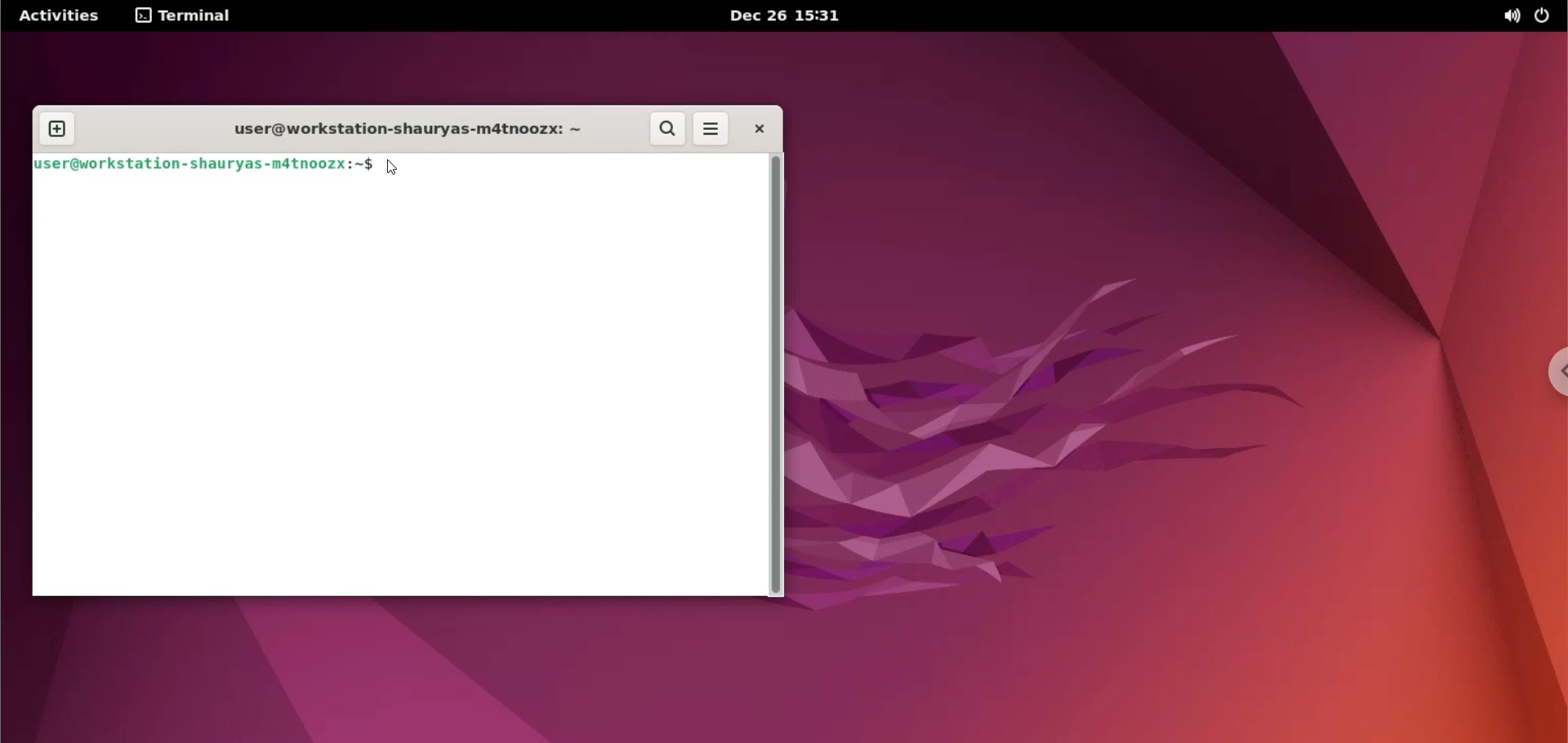  What do you see at coordinates (61, 15) in the screenshot?
I see `Activities` at bounding box center [61, 15].